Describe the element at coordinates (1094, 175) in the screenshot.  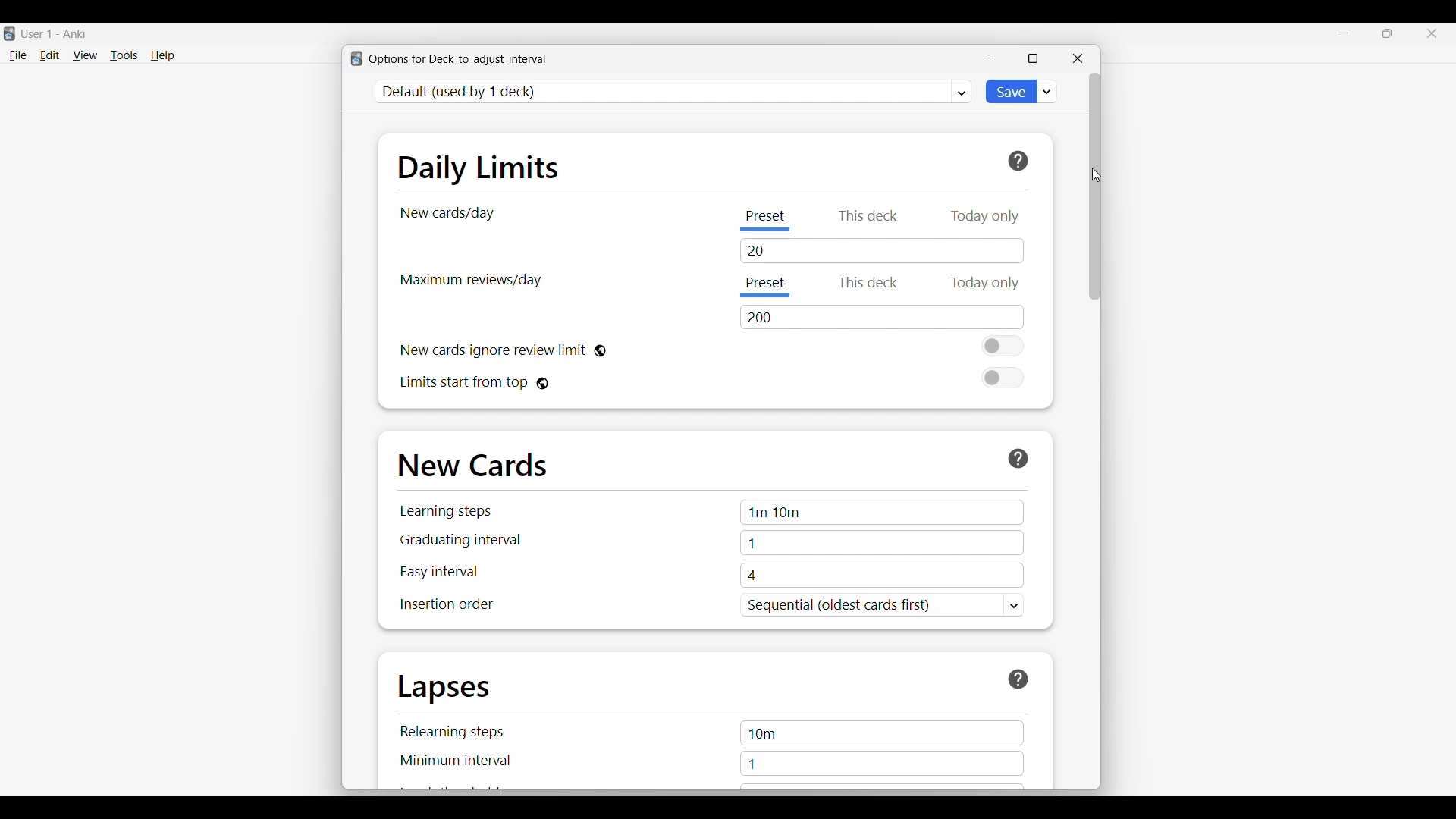
I see `Cursor` at that location.